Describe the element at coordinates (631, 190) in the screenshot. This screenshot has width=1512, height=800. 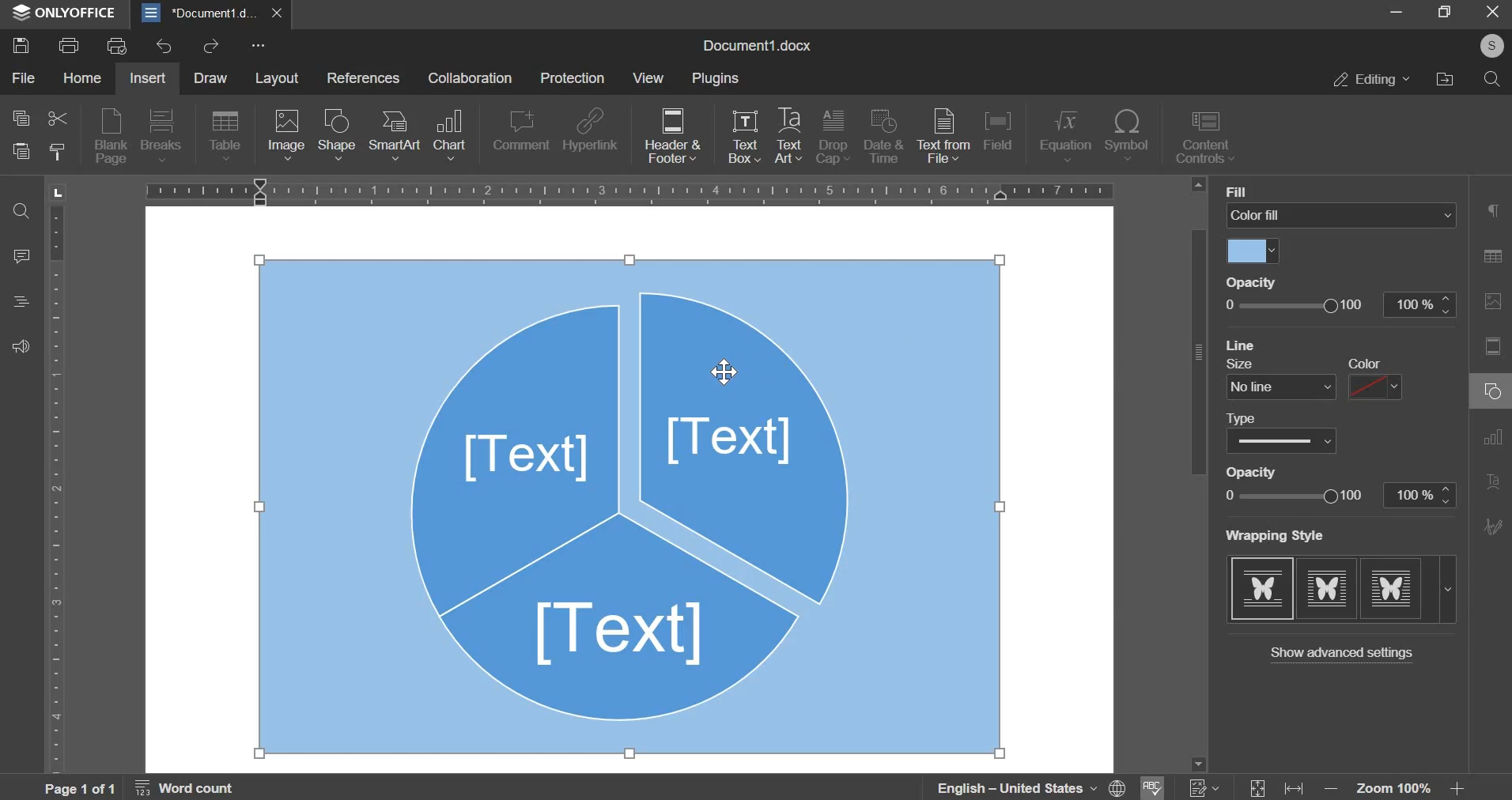
I see `horizontal scale` at that location.